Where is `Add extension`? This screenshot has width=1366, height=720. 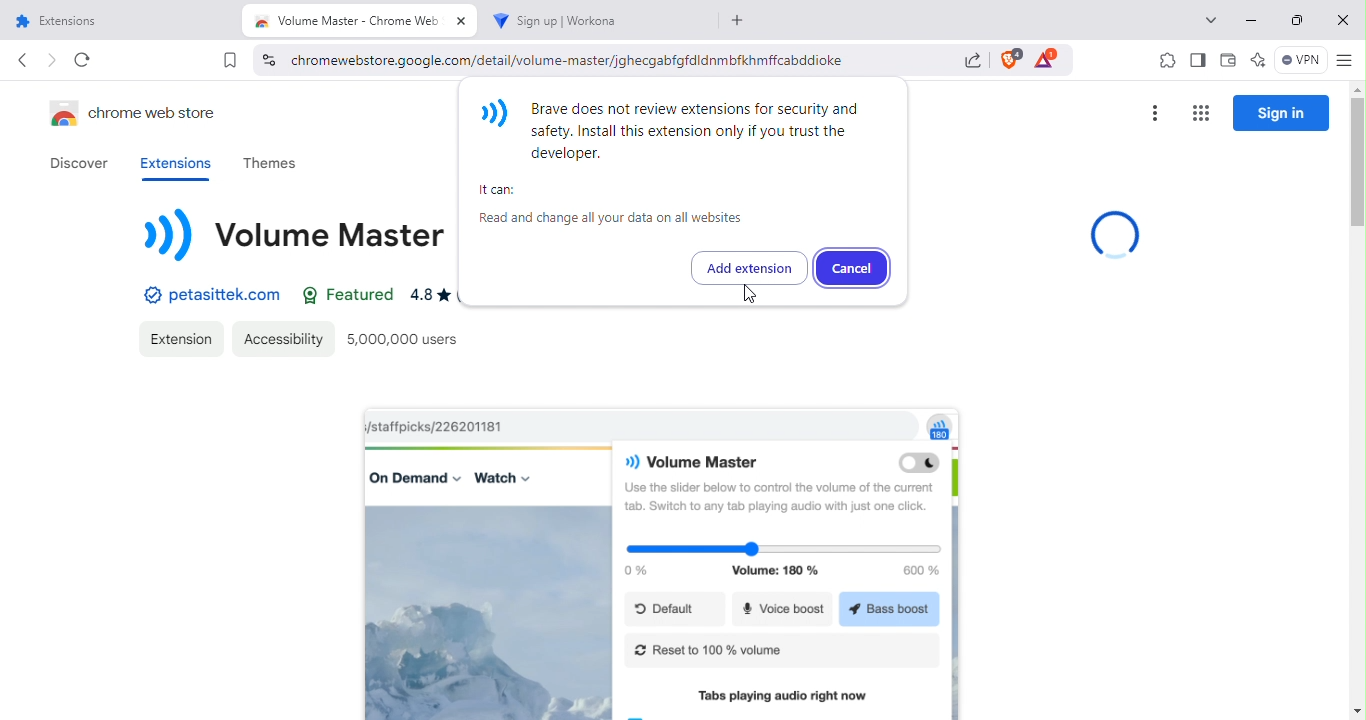
Add extension is located at coordinates (749, 267).